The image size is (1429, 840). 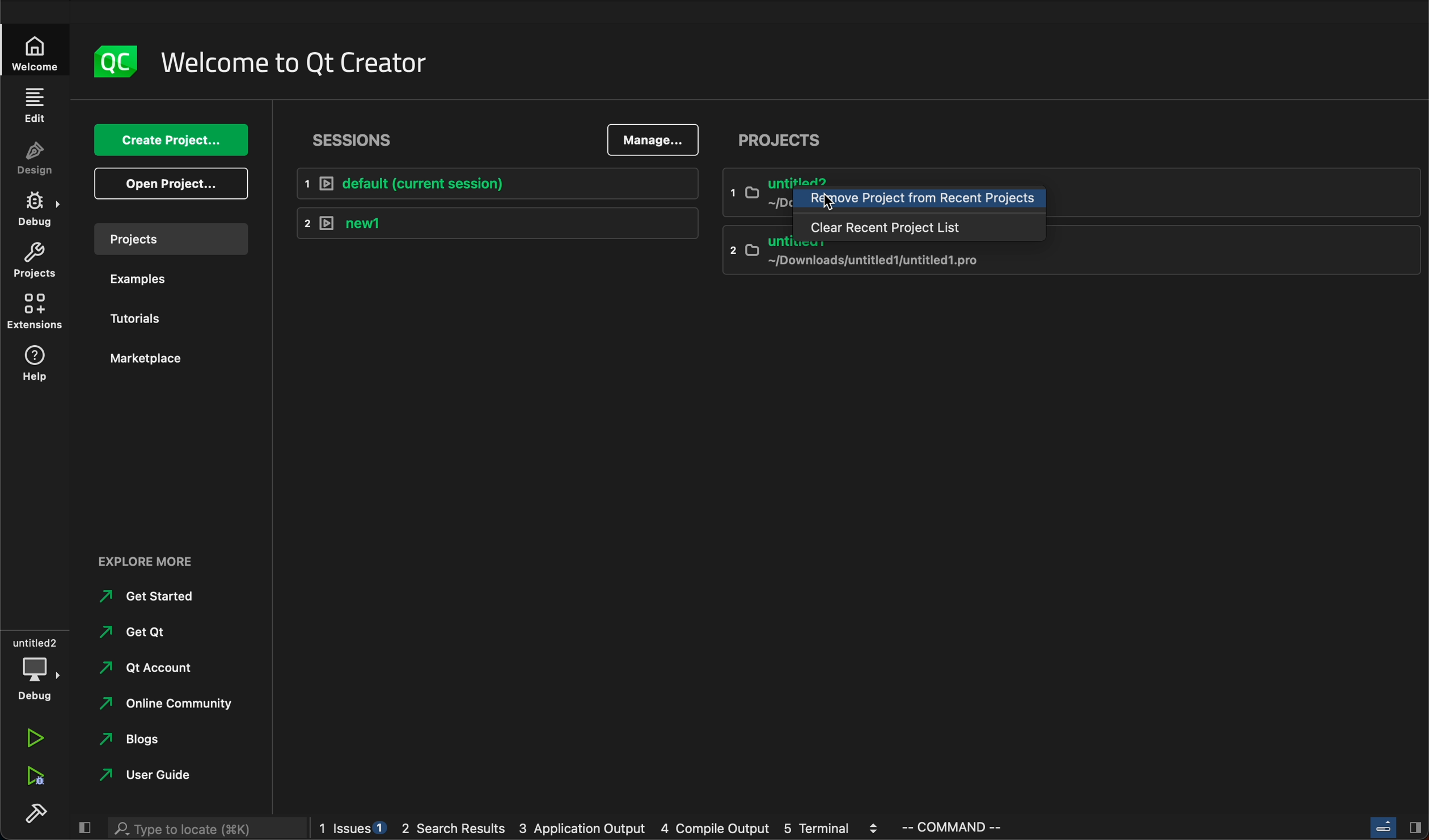 I want to click on welcome to qt, so click(x=311, y=62).